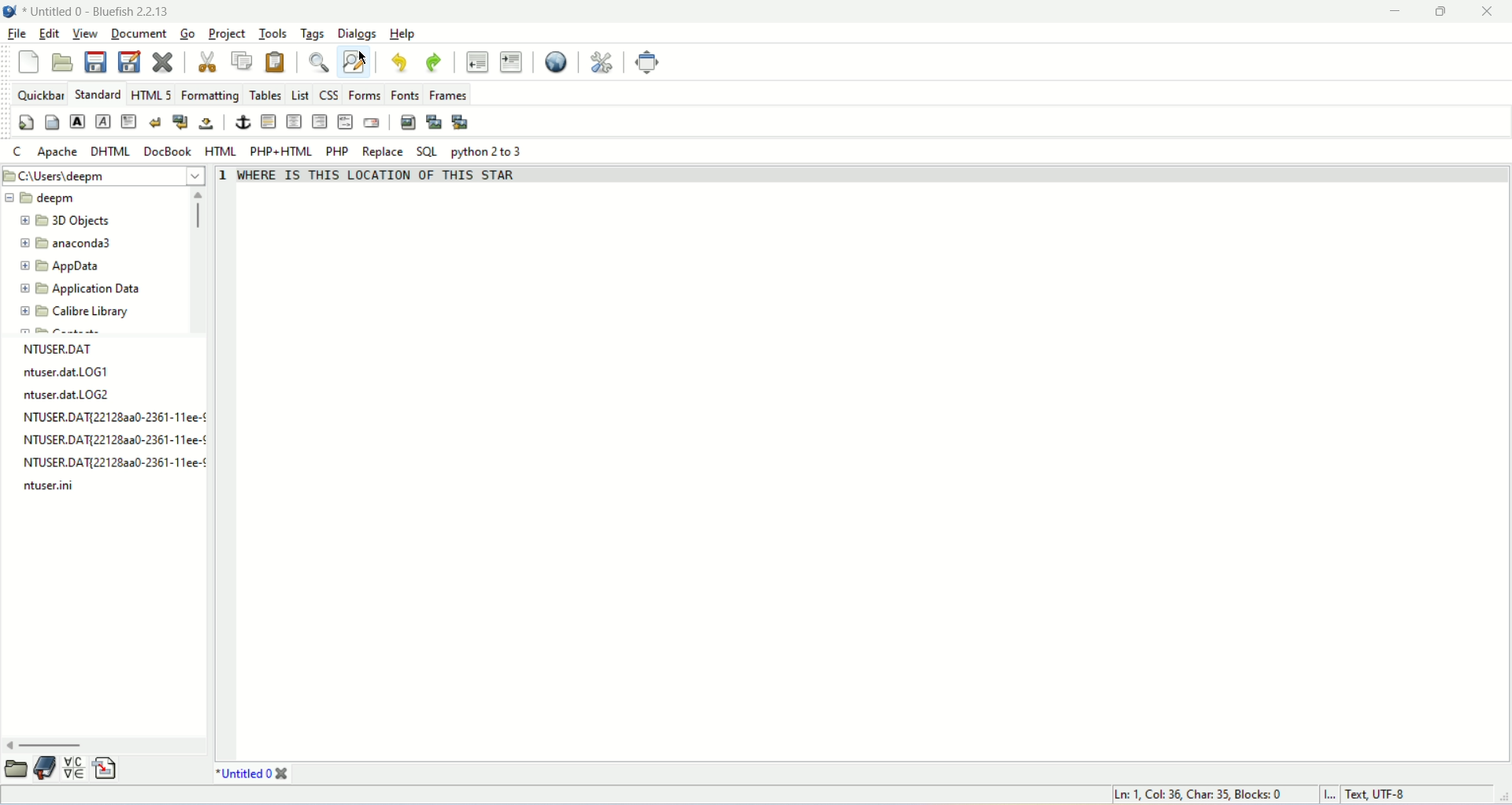  What do you see at coordinates (69, 395) in the screenshot?
I see `ntuser.dat LOG2` at bounding box center [69, 395].